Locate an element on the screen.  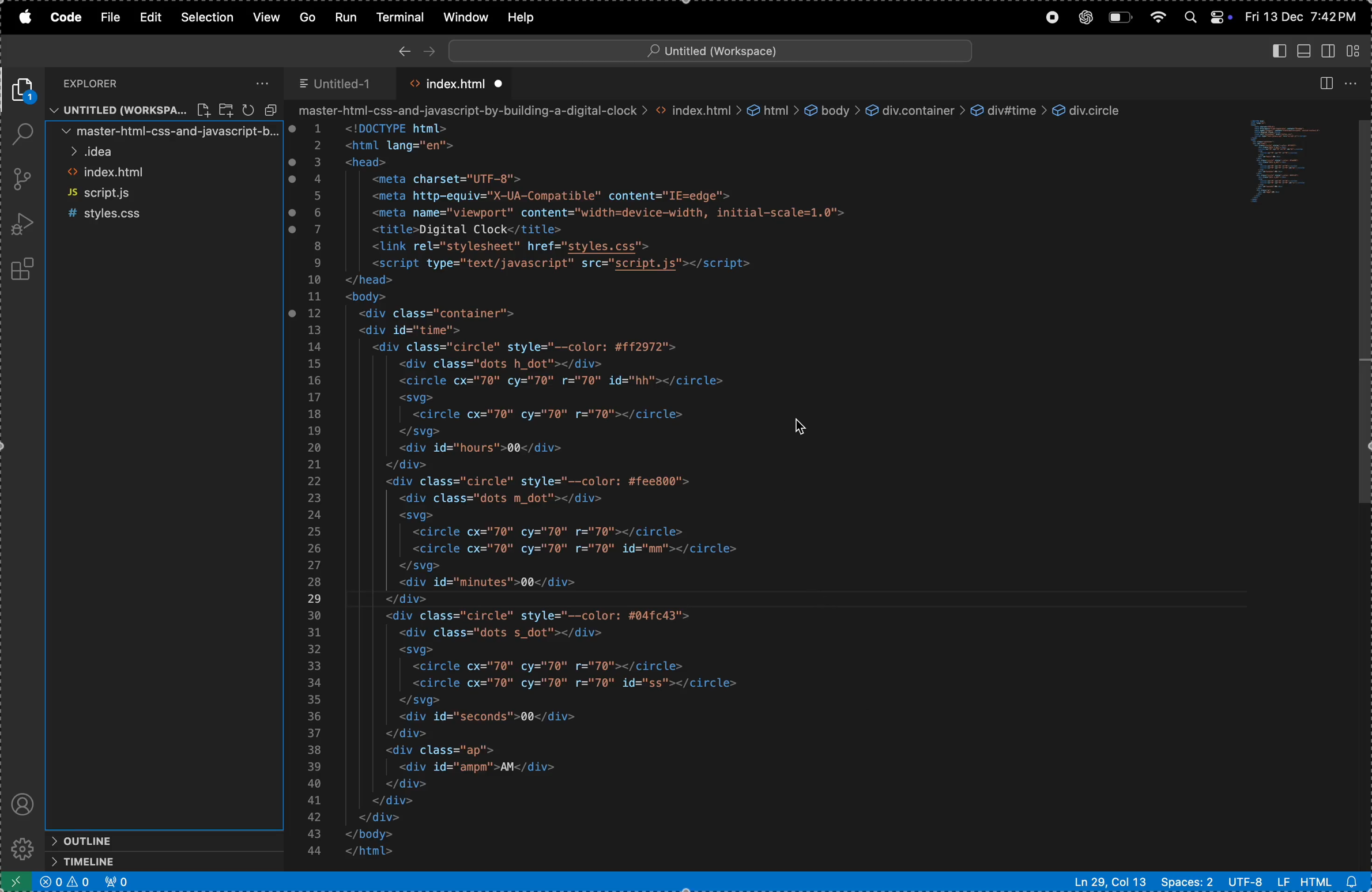
<:DULITYFE Nntml>
<html lang="en">
<head>
<meta charset="UTF-8">
<meta http-equiv="X-UA-Compatible" content="IE=edge">
<meta name="viewport" content="width=device-width, initial-scale=1.0">
<title>Digital Clock</title>
<link rel="stylesheet" href="styles.css">
<script type="text/javascript" src="script.js"></script>
</head>
<body>
<div class="container">
<div id="time">
<div class="circle" style="--color: #ff2972">
<div class="dots h_dot"></div>
<circle cx="70" cy="70" r="70" id="hh"></circle>
<svg>
<circle cx="70" cy="70" r="70"></circle>
</svg> IN
<div id="hours">00</div>
</div>
<div class="circle" style="--color: #fee800">
<div class="dots m_dot"></div>
<svg>
<circle cx="70" cy="70" r="70"></circle>
<circle cx="70" cy="70" r="70" id="mm"></circle>
</svg>
<div id="minutes">00</div>
</div>
<div class="circle" style="--color: #04fc43">
<div class="dots s_dot"></div>
<svg>
<circle cx="70" cy="70" r="70"></circle>
<circle cx="70" cy="70" r="70" id="ss"></circle>
</svg>
<div id="seconds">00</div>
</div>
<div class="ap">
<div id="ampm">AM</div>
</div>
</div>
</div>
</body>
</html> is located at coordinates (636, 493).